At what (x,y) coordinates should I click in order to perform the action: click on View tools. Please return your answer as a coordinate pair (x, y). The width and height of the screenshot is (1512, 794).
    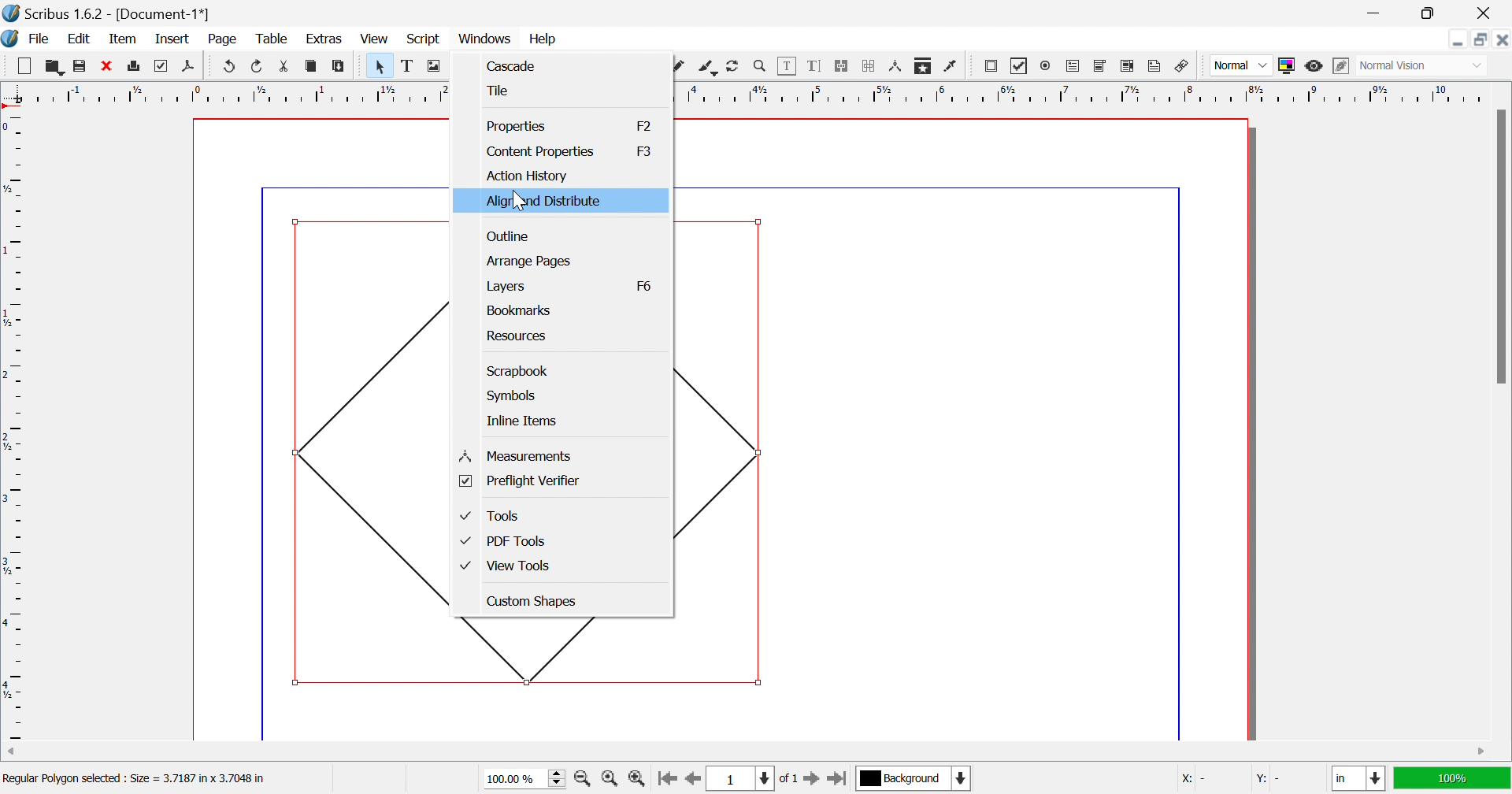
    Looking at the image, I should click on (504, 567).